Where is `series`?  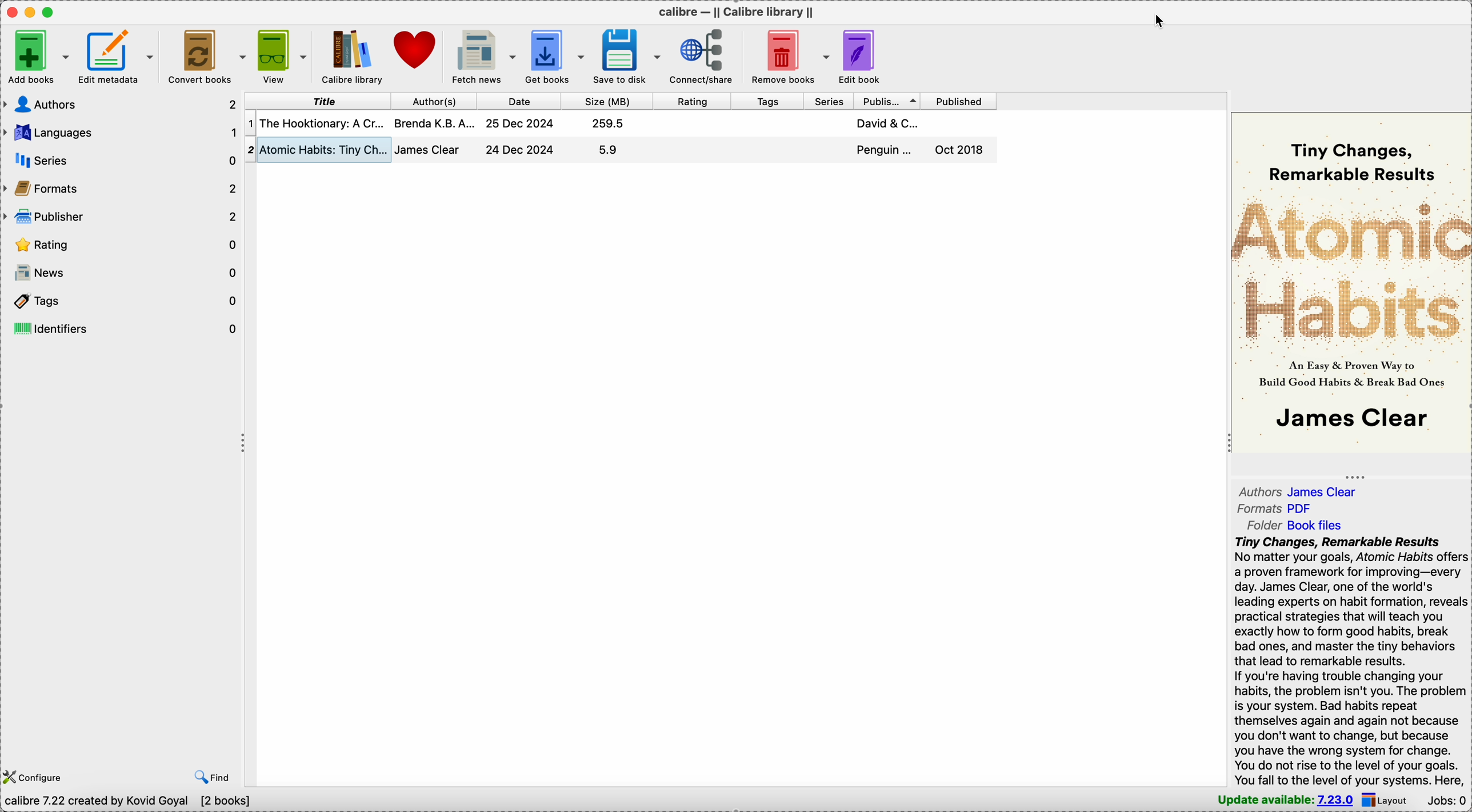
series is located at coordinates (831, 101).